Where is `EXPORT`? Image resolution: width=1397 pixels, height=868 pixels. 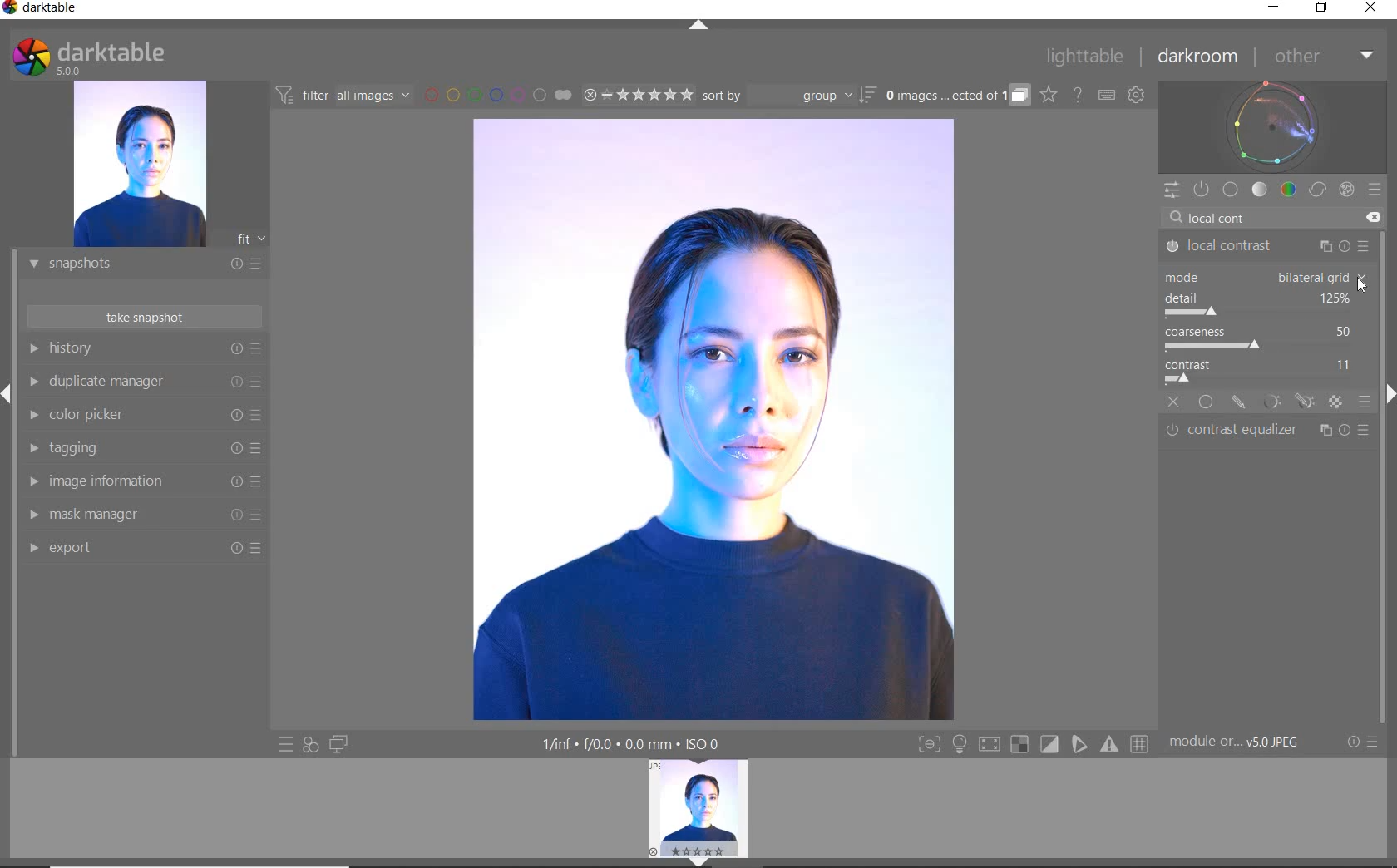
EXPORT is located at coordinates (139, 547).